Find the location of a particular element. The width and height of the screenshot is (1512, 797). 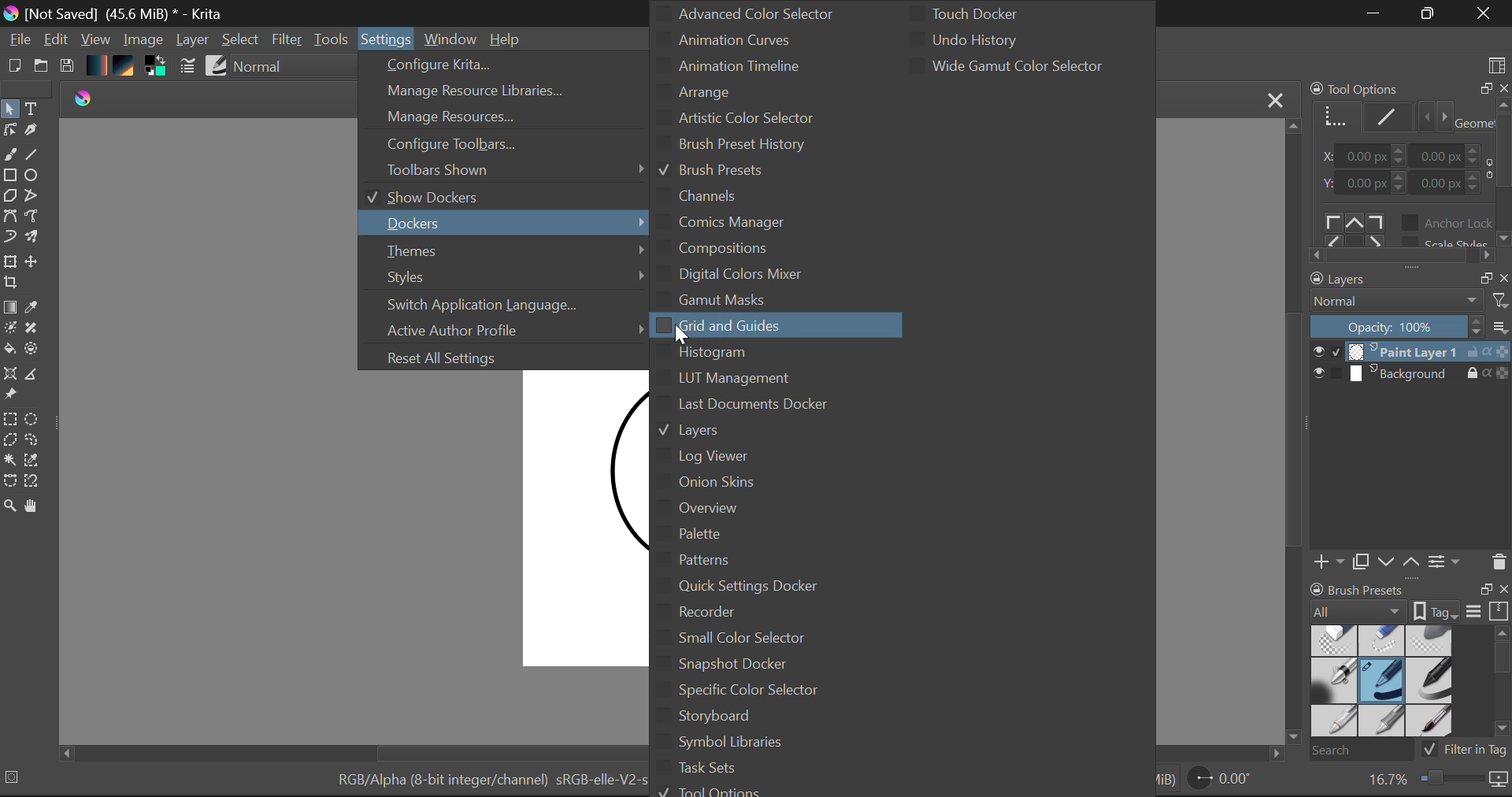

Measurements is located at coordinates (37, 375).